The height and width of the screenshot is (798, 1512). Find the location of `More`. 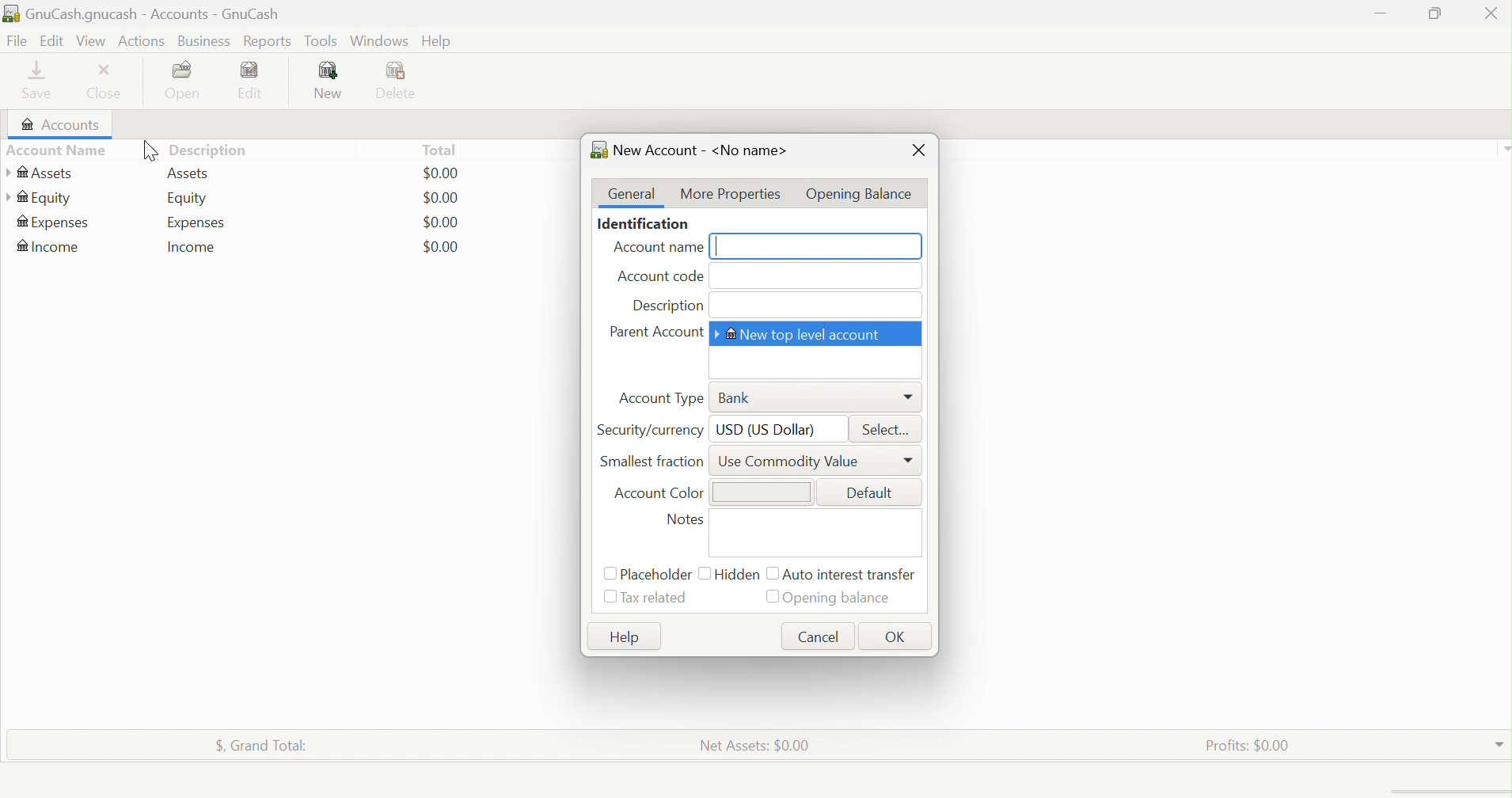

More is located at coordinates (910, 397).